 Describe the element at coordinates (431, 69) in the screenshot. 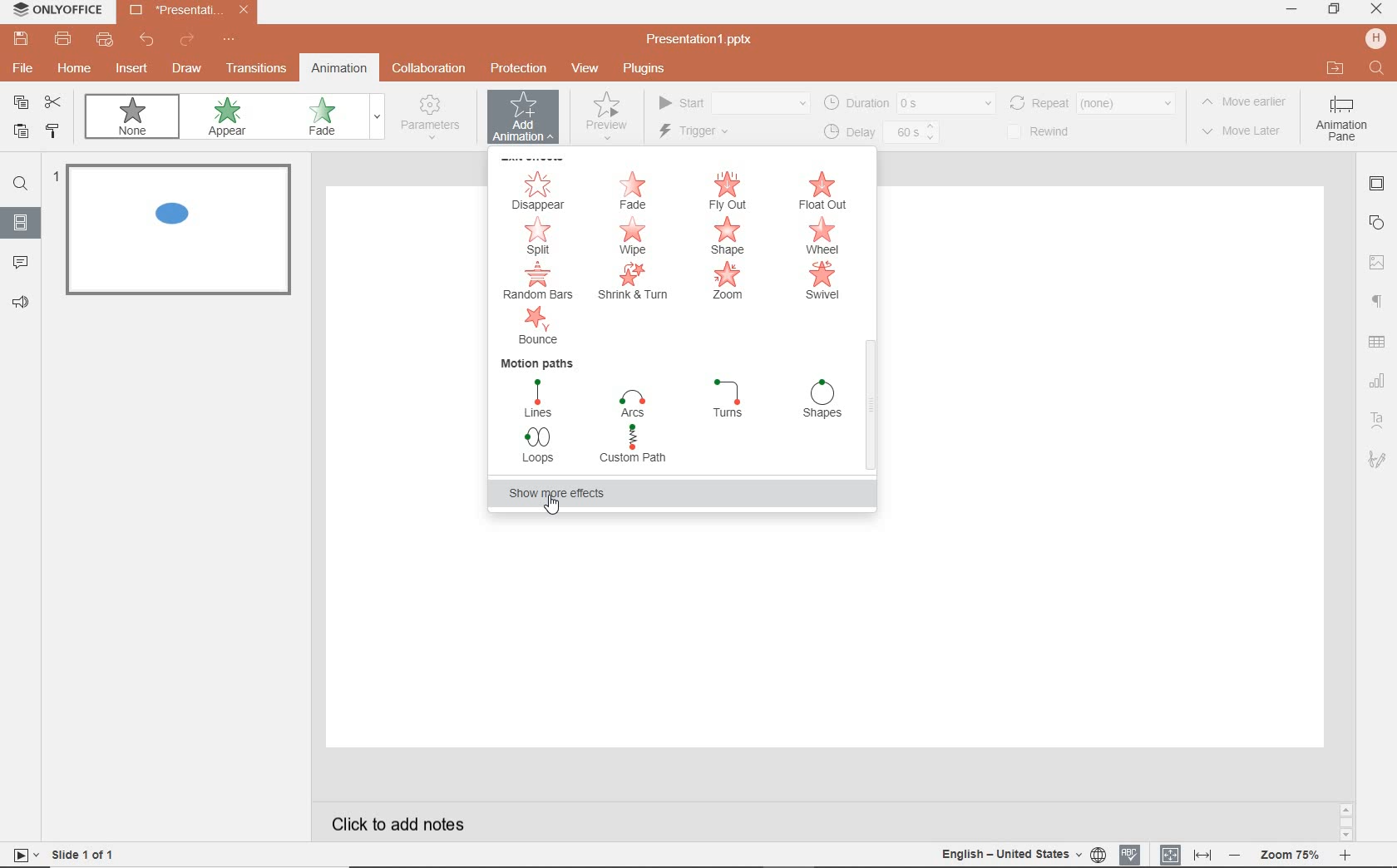

I see `collaboration` at that location.